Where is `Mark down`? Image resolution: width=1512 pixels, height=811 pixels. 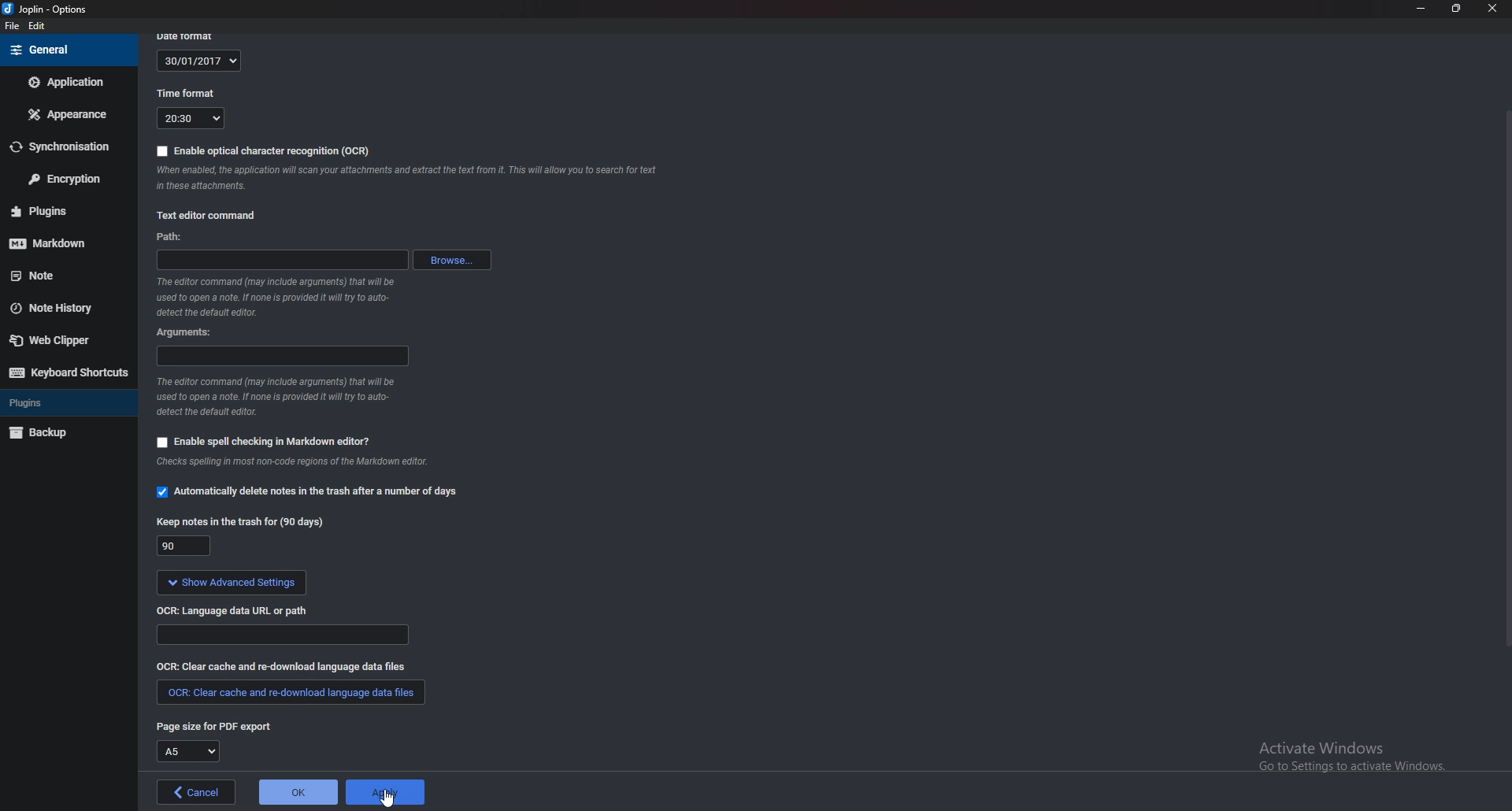
Mark down is located at coordinates (59, 243).